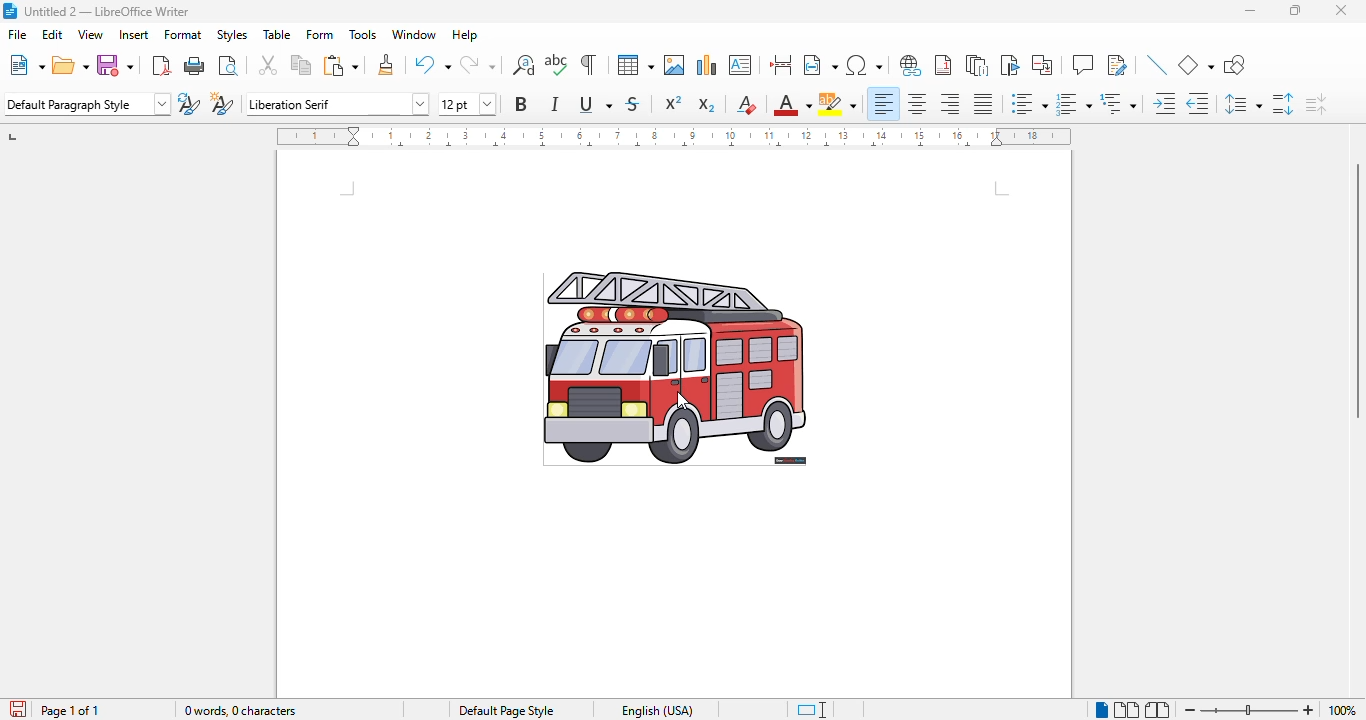 The height and width of the screenshot is (720, 1366). What do you see at coordinates (978, 64) in the screenshot?
I see `insert endnote` at bounding box center [978, 64].